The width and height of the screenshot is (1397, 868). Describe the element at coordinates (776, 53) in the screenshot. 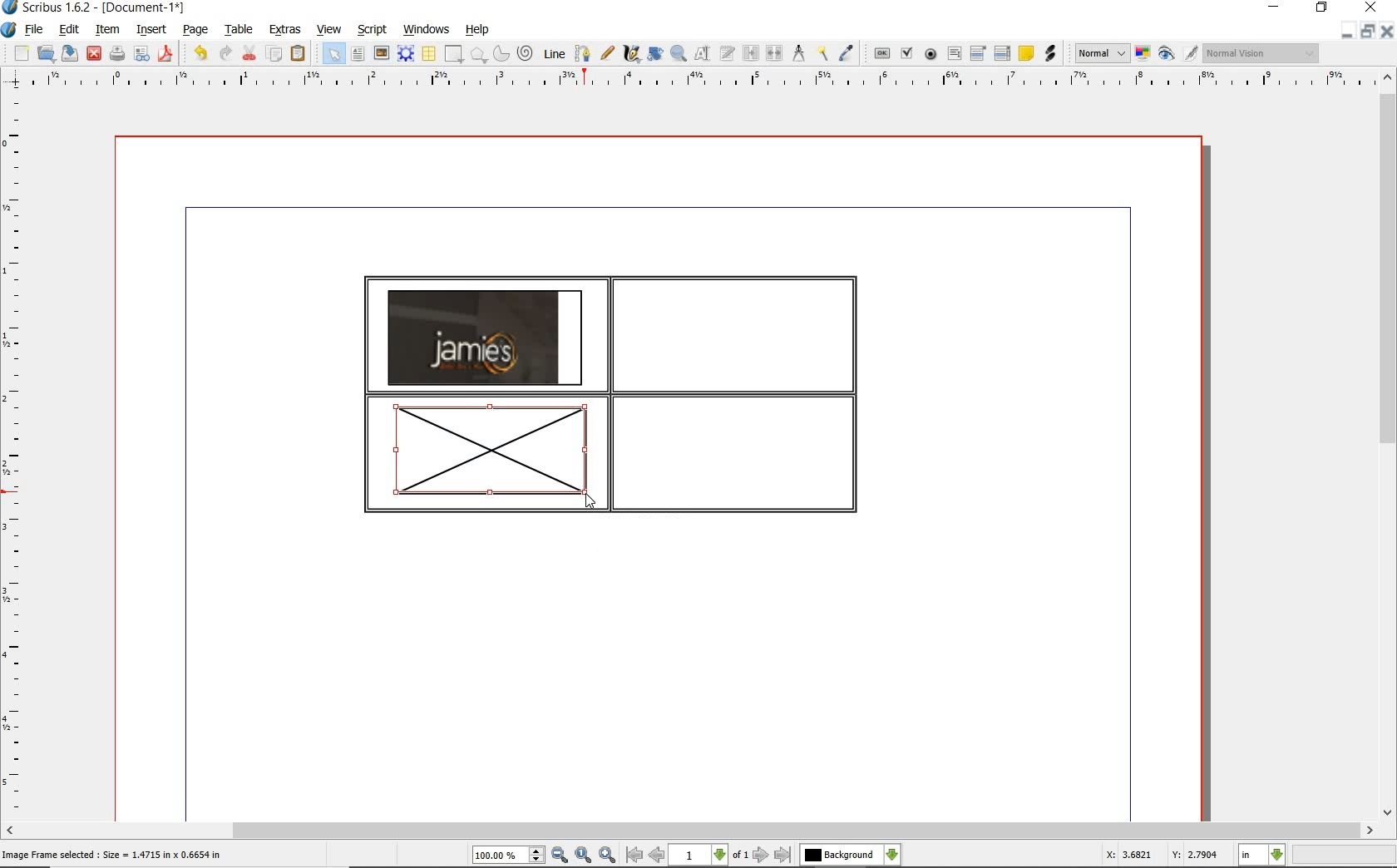

I see `unlink text frames` at that location.